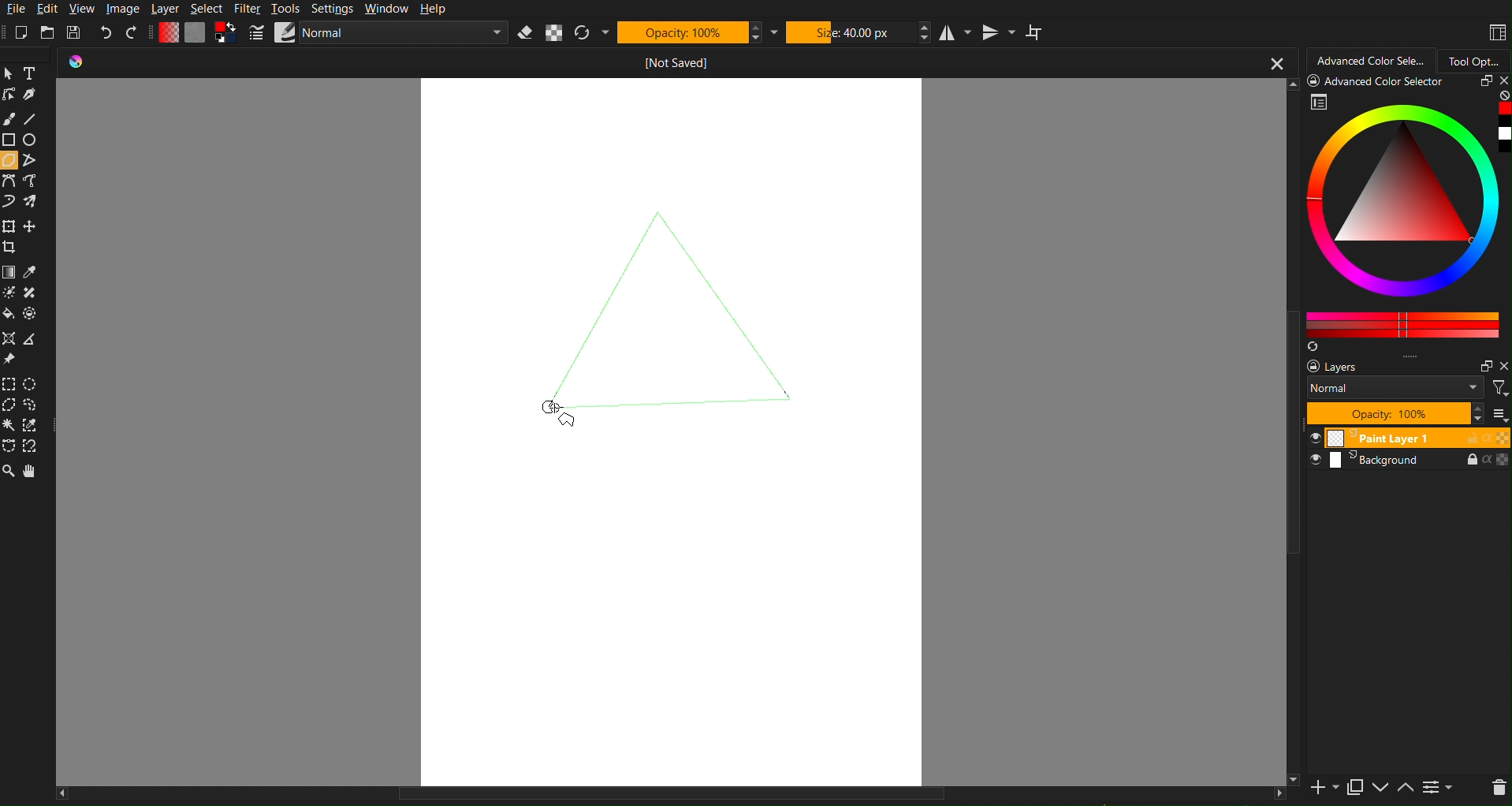  Describe the element at coordinates (1372, 58) in the screenshot. I see `Advanced Color Selector` at that location.